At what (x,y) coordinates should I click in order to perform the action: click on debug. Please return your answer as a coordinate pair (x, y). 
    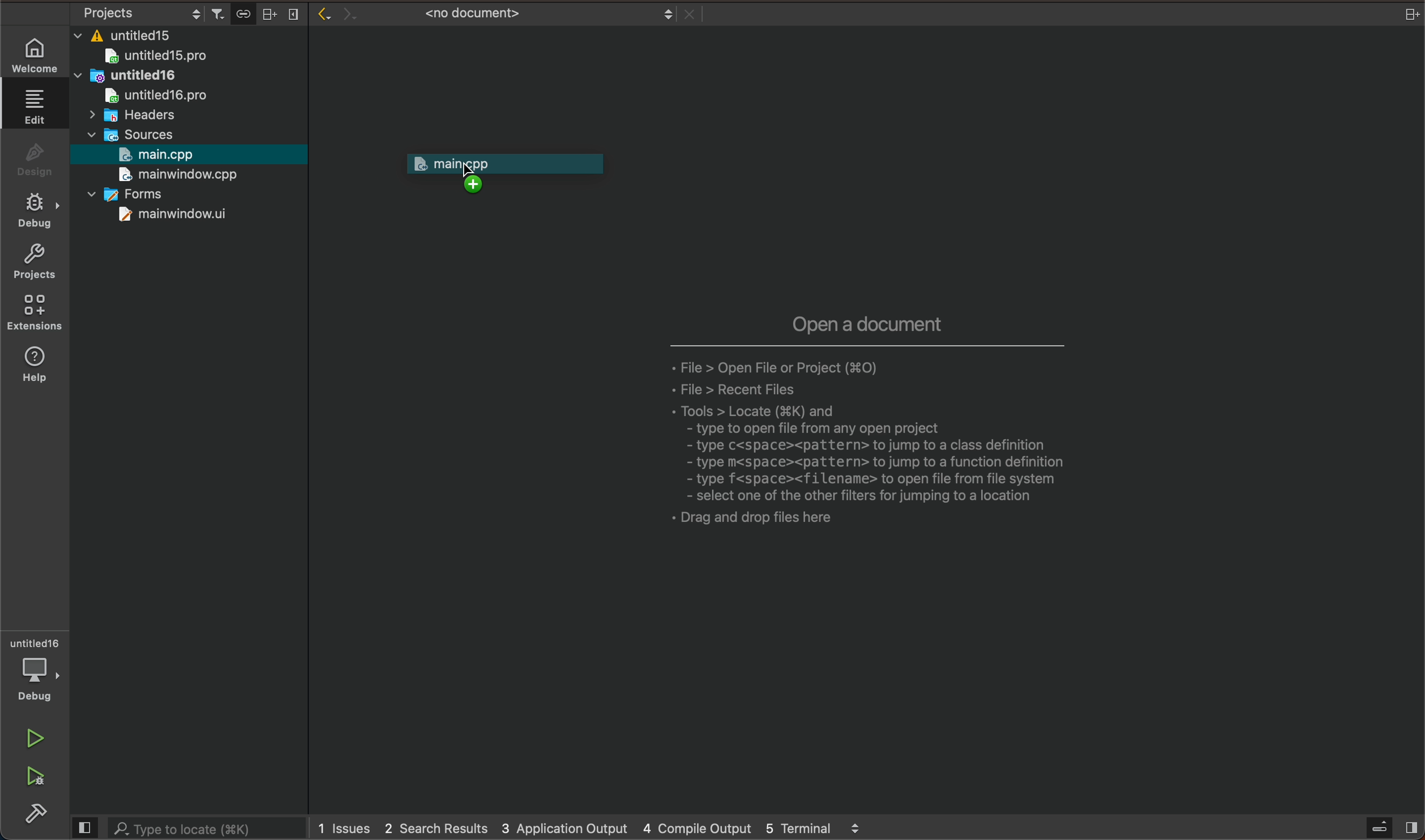
    Looking at the image, I should click on (35, 212).